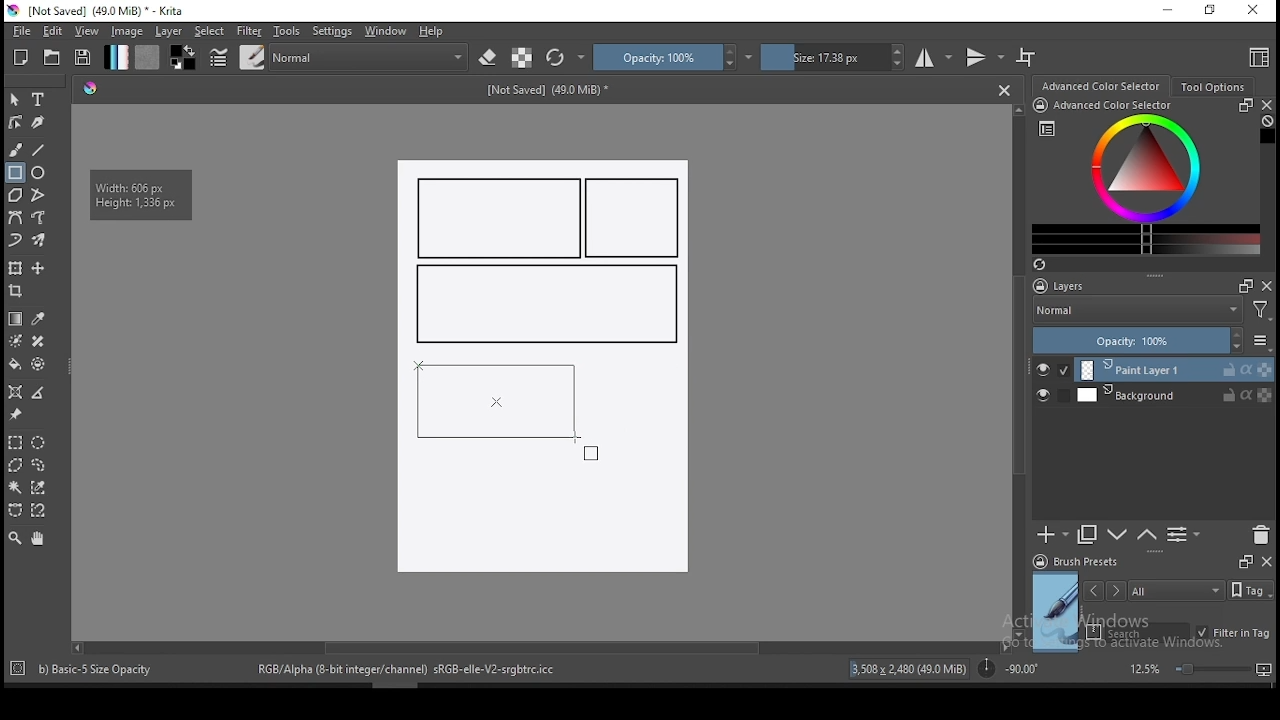 The width and height of the screenshot is (1280, 720). I want to click on delete layer, so click(1260, 536).